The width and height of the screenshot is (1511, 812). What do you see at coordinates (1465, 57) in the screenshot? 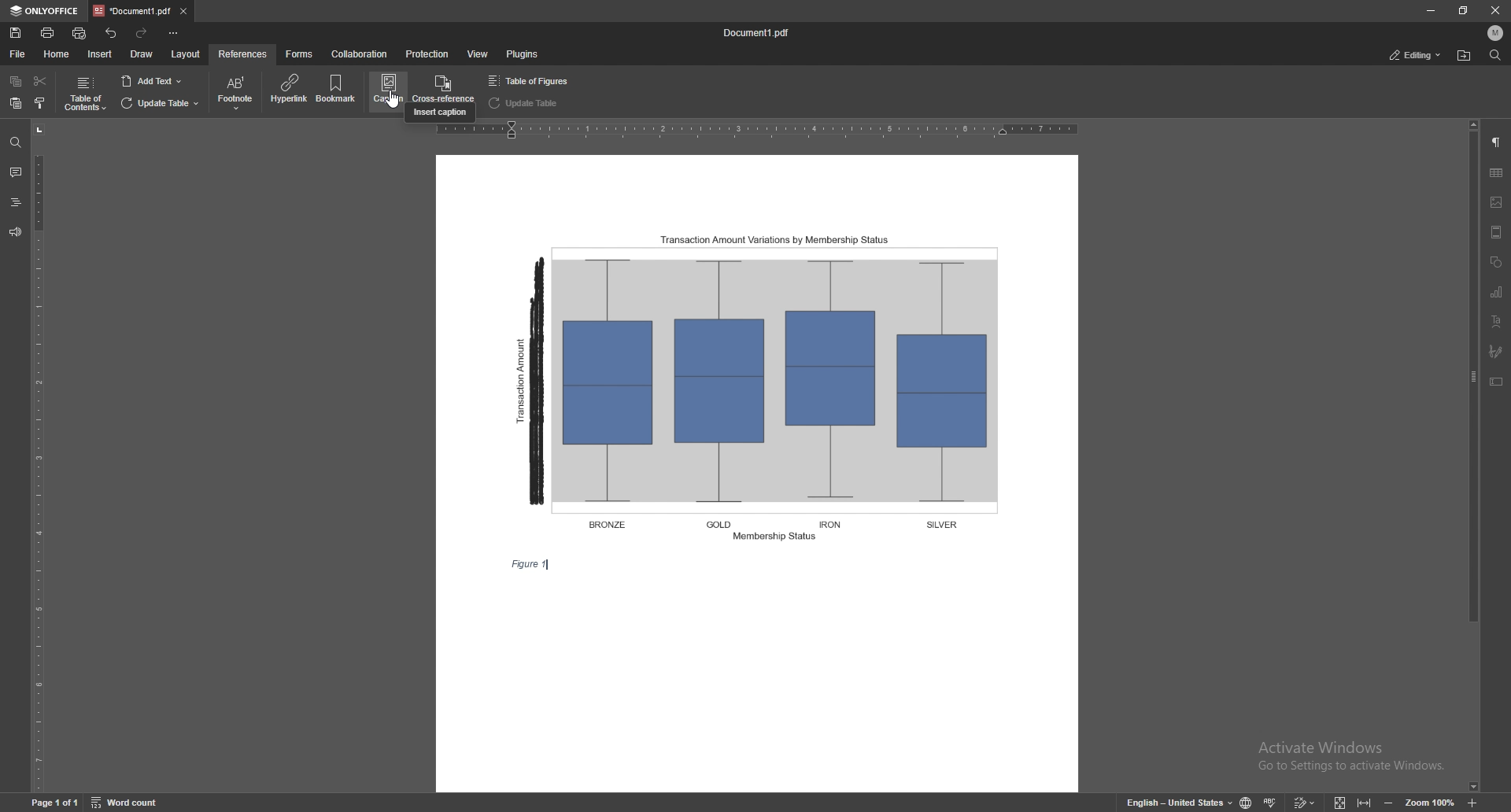
I see `locate file` at bounding box center [1465, 57].